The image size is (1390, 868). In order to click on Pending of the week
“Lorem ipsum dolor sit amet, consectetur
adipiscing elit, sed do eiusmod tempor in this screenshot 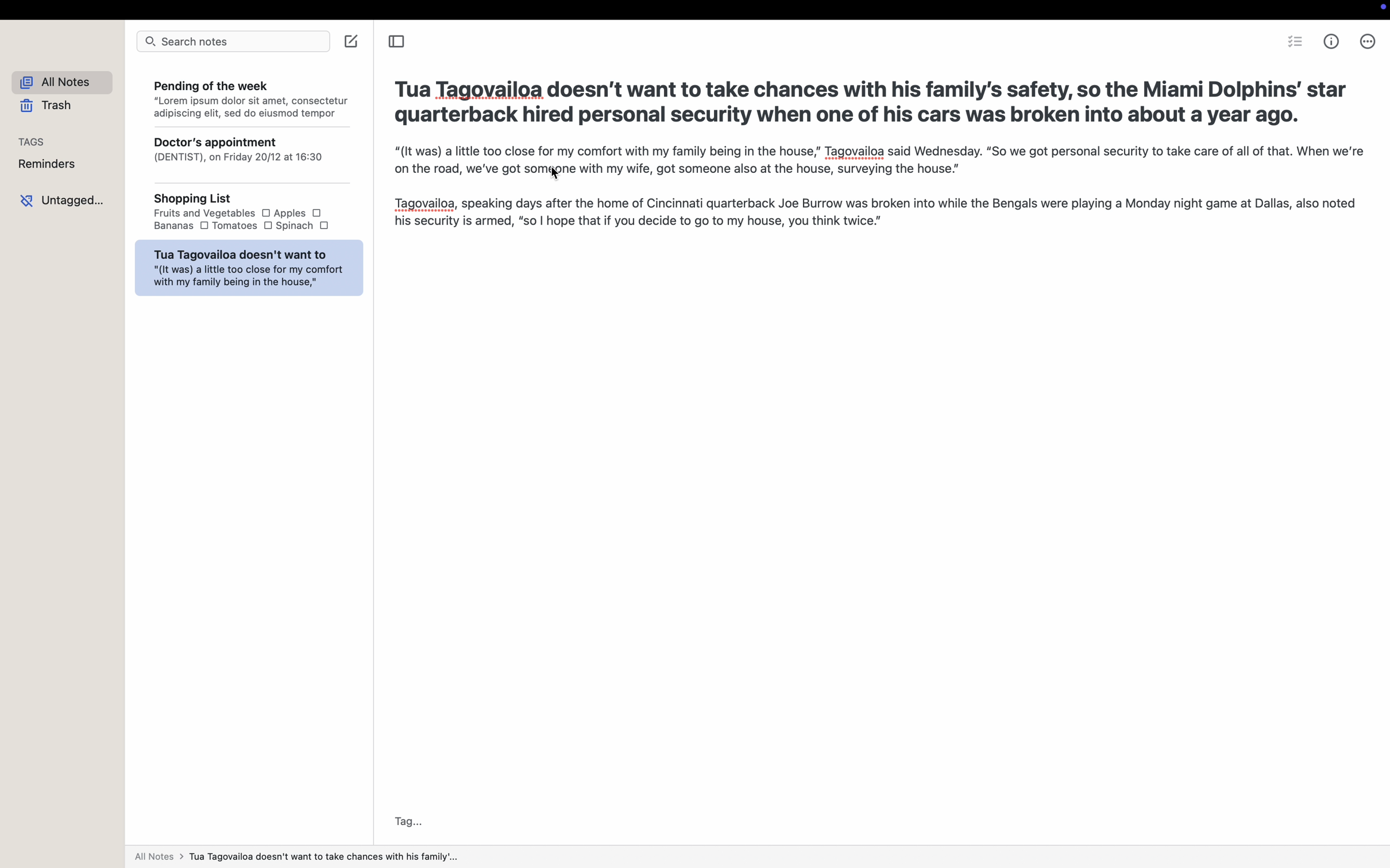, I will do `click(249, 97)`.